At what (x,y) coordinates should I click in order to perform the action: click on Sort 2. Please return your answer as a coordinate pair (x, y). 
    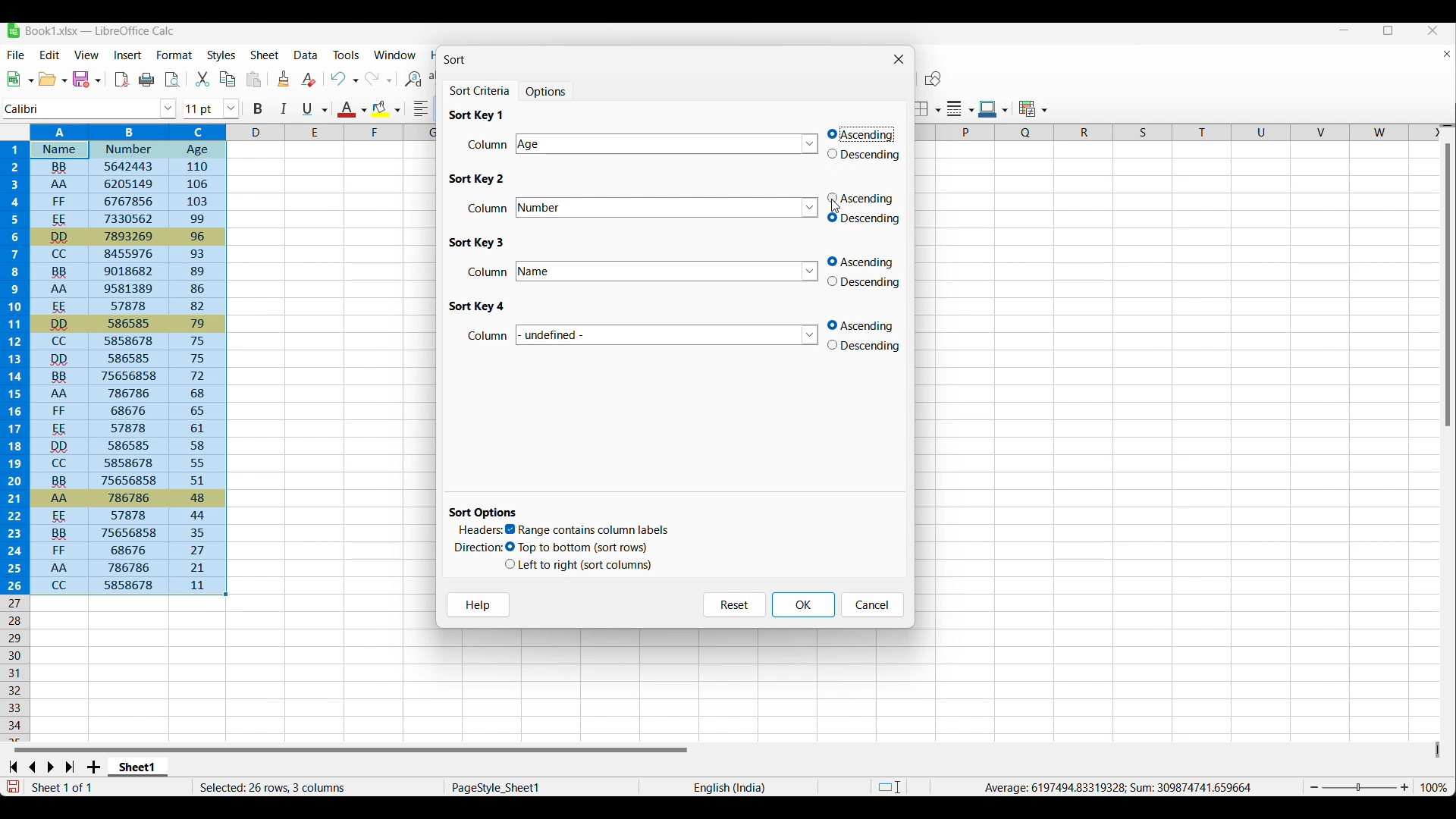
    Looking at the image, I should click on (479, 179).